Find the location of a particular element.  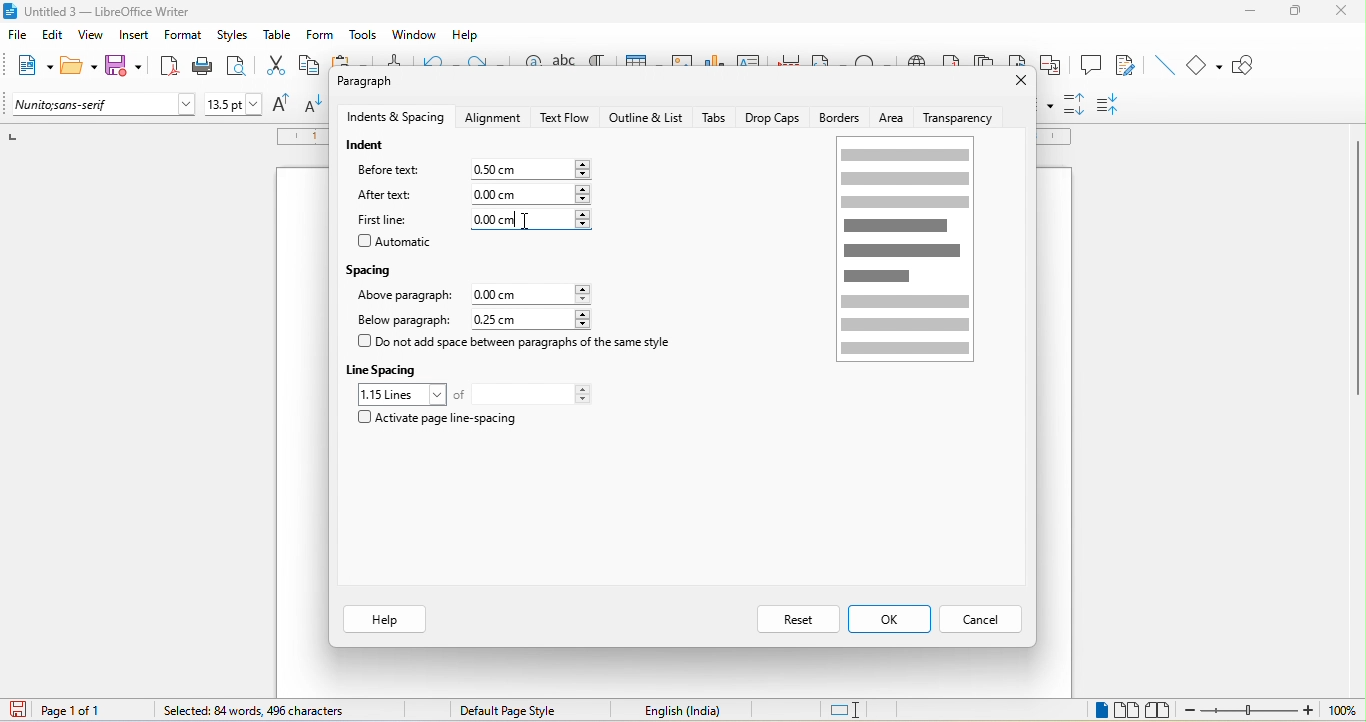

transparency is located at coordinates (960, 119).